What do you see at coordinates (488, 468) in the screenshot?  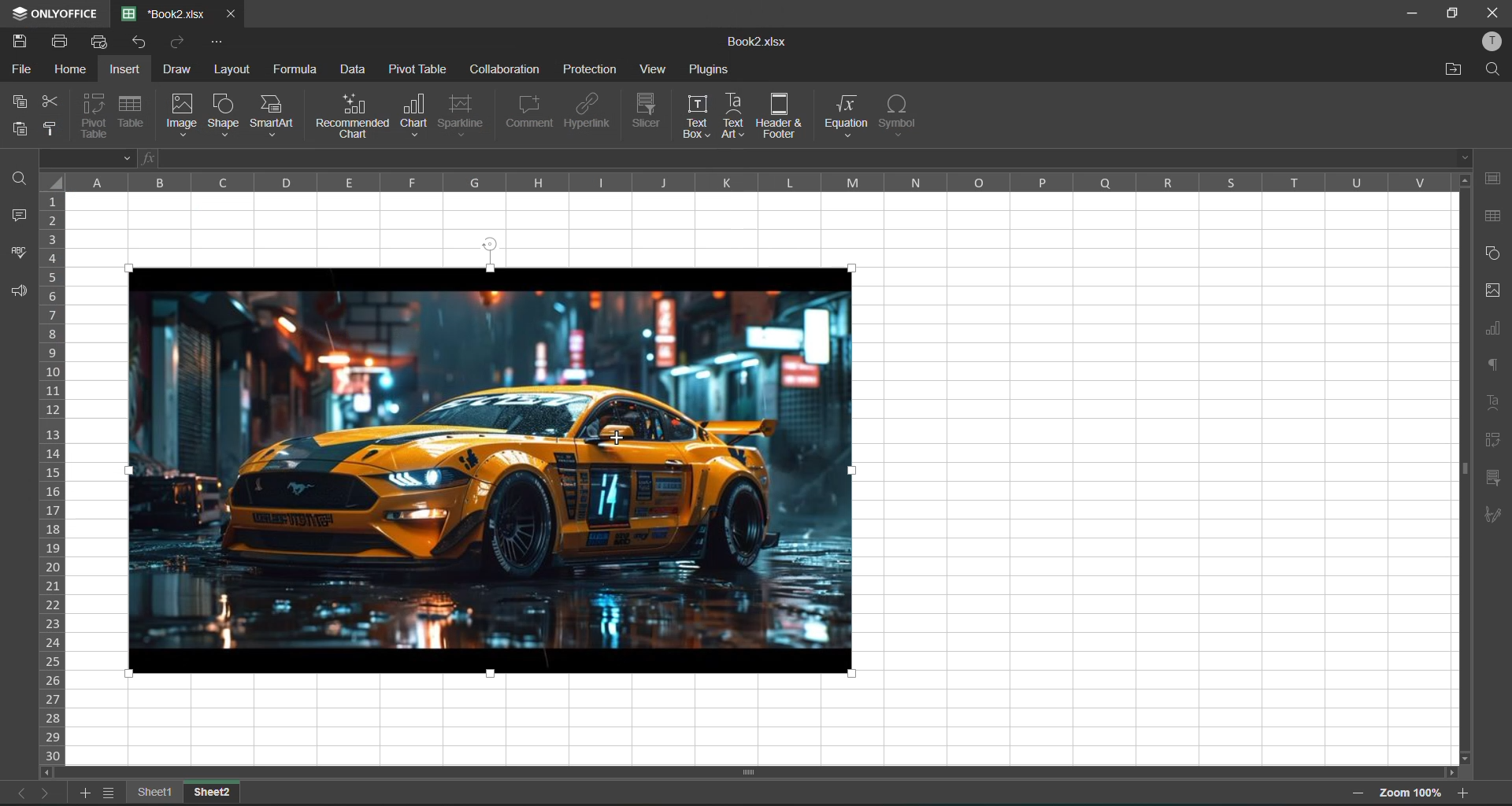 I see `image inserted` at bounding box center [488, 468].